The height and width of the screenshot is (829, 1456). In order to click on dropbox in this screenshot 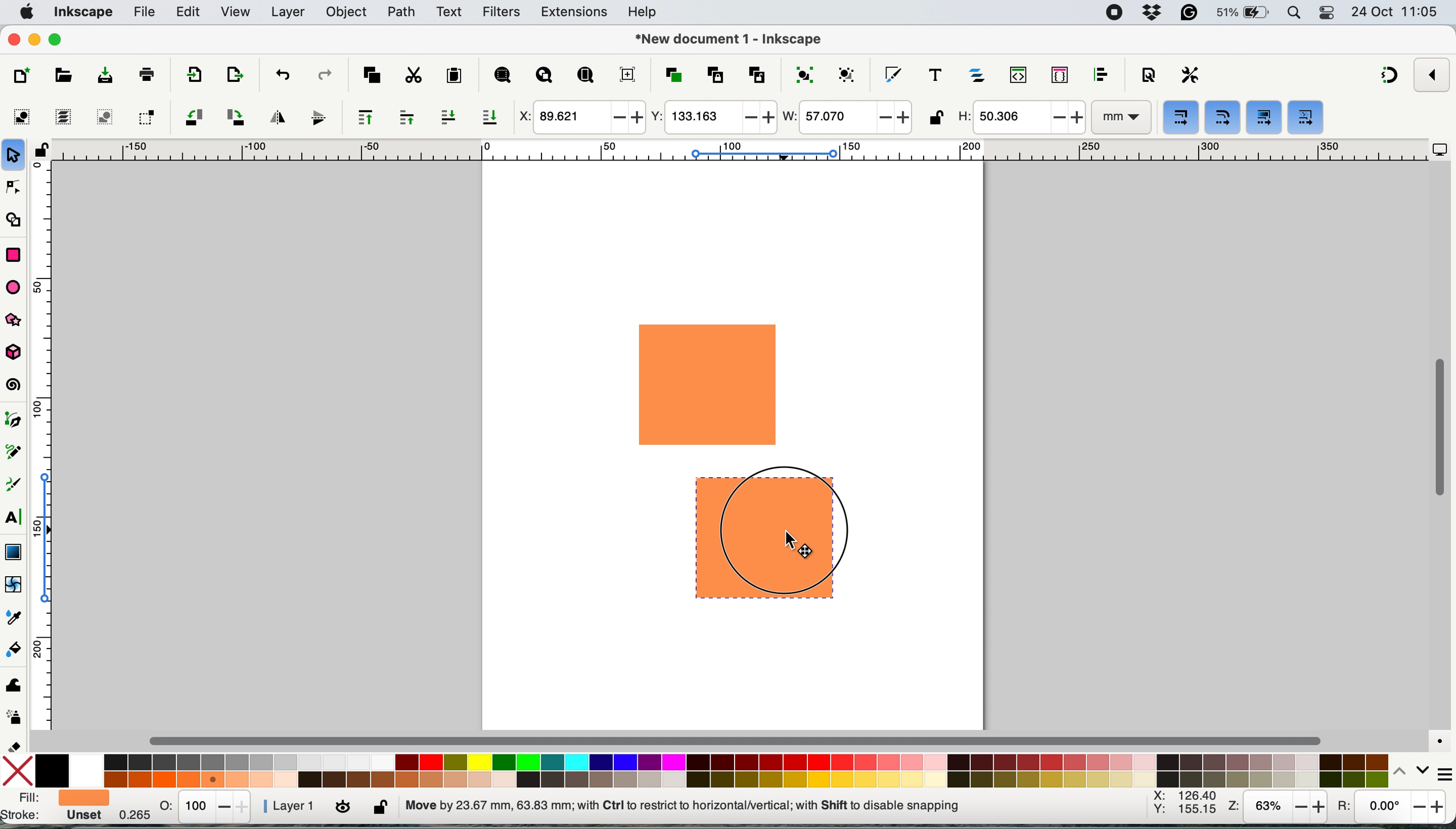, I will do `click(1154, 13)`.